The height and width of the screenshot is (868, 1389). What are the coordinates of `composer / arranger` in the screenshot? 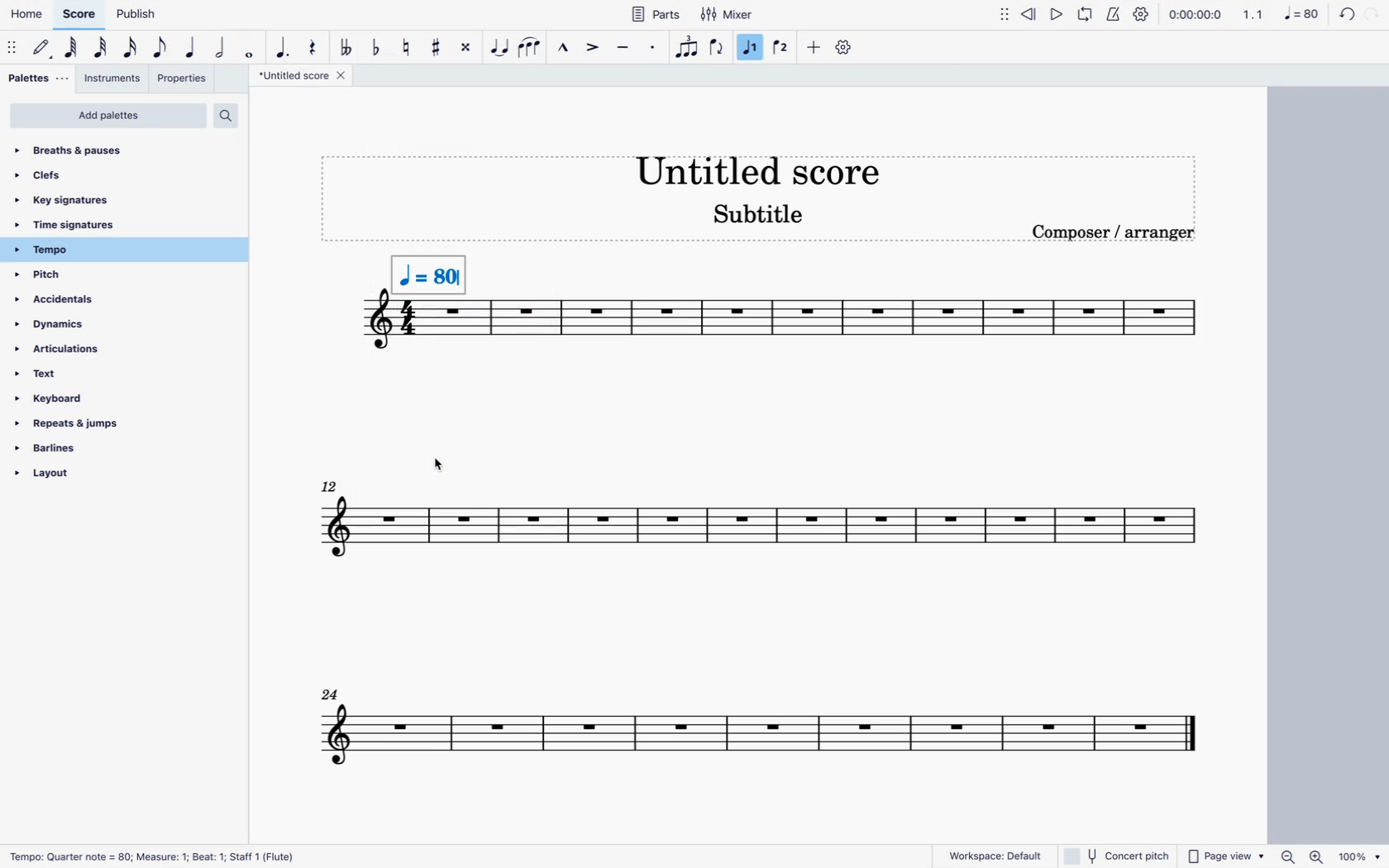 It's located at (1118, 232).